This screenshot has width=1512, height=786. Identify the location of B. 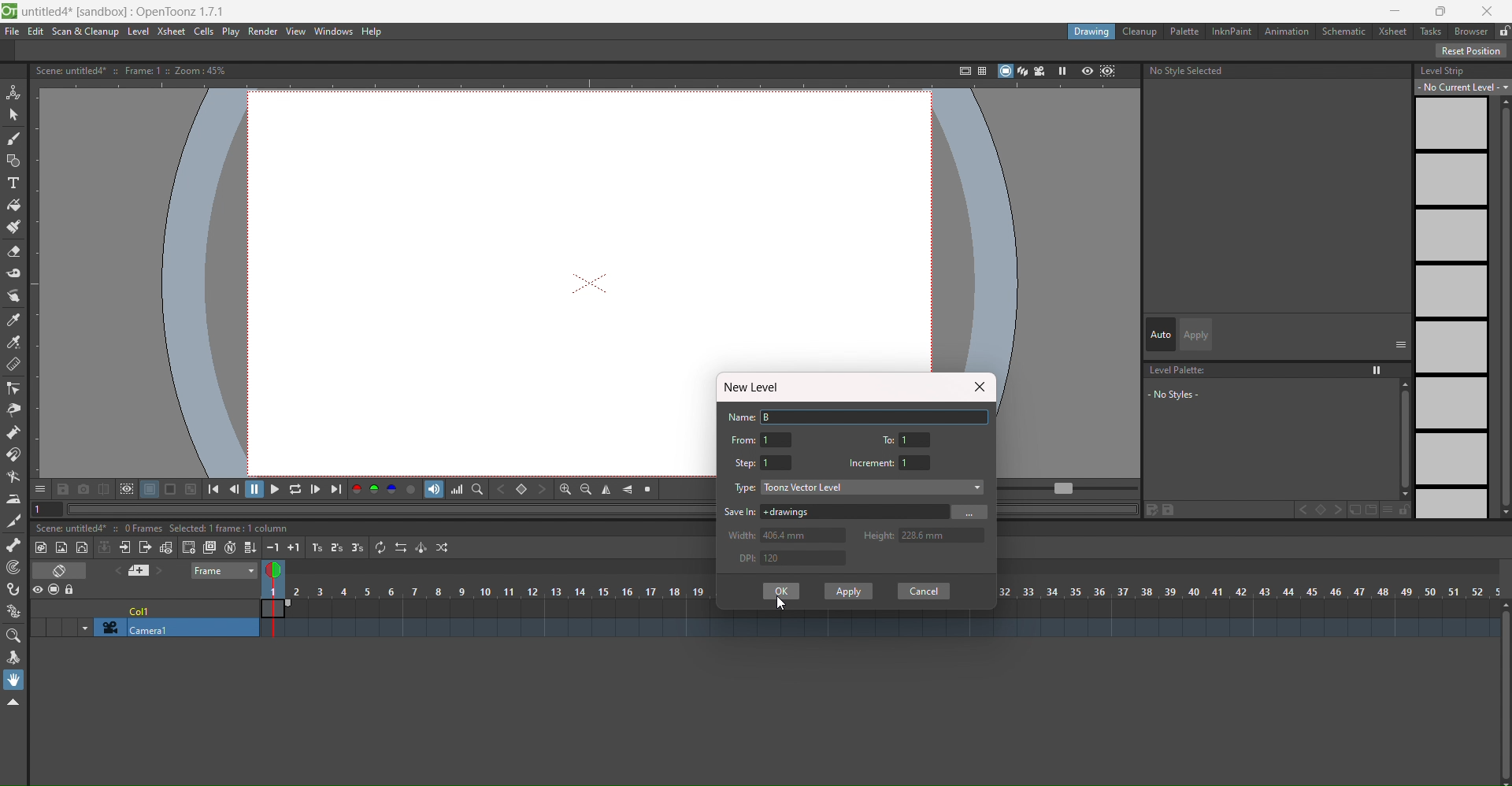
(877, 416).